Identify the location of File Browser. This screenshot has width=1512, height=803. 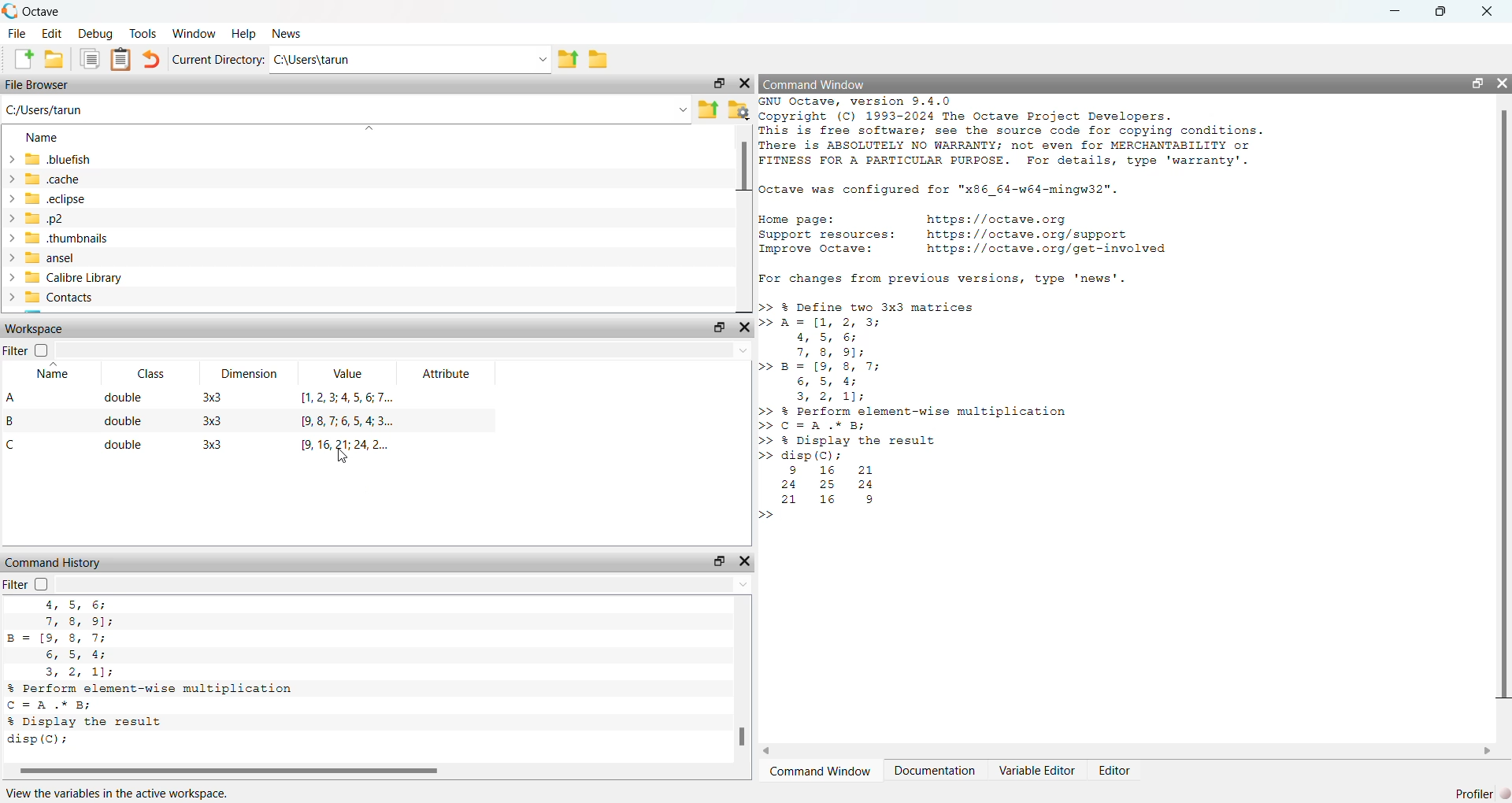
(39, 86).